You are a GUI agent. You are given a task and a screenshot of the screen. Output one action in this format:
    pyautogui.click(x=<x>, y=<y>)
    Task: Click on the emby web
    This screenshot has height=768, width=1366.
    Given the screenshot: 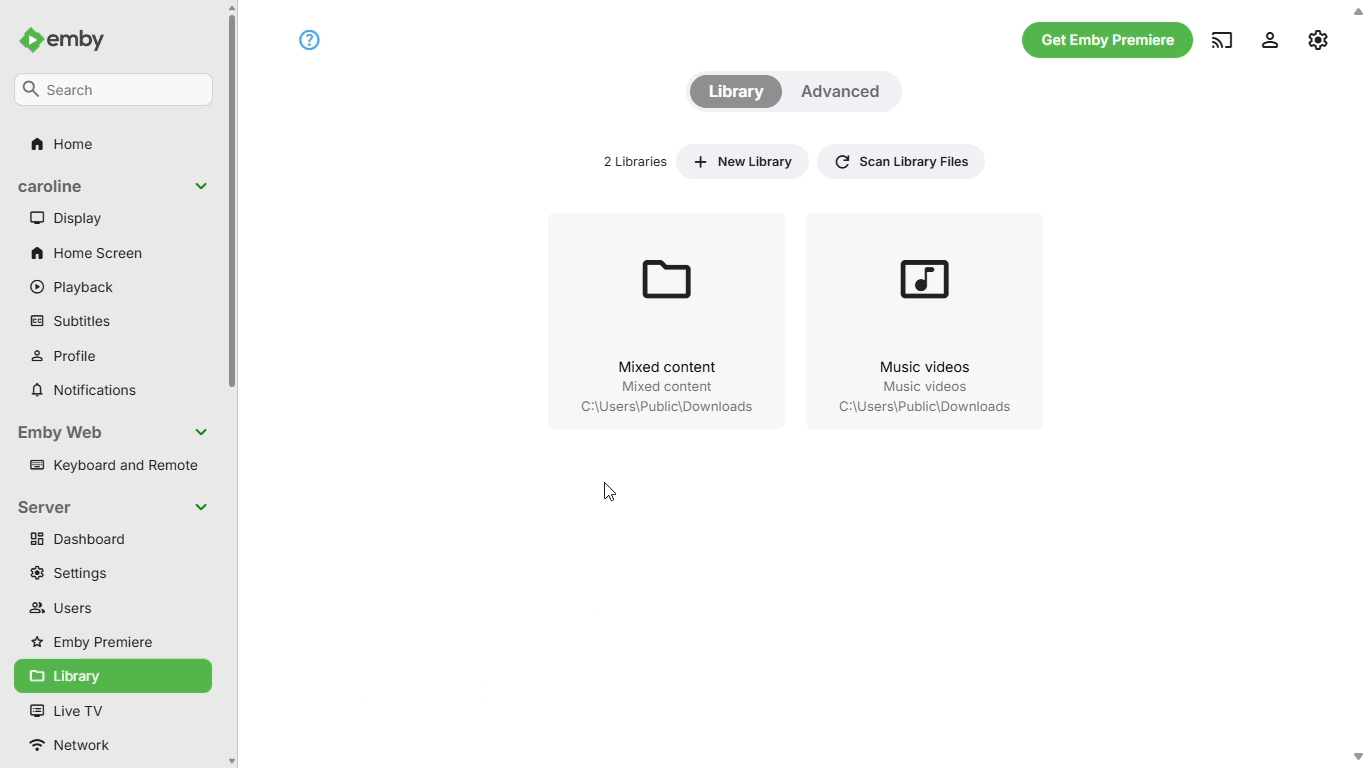 What is the action you would take?
    pyautogui.click(x=60, y=432)
    